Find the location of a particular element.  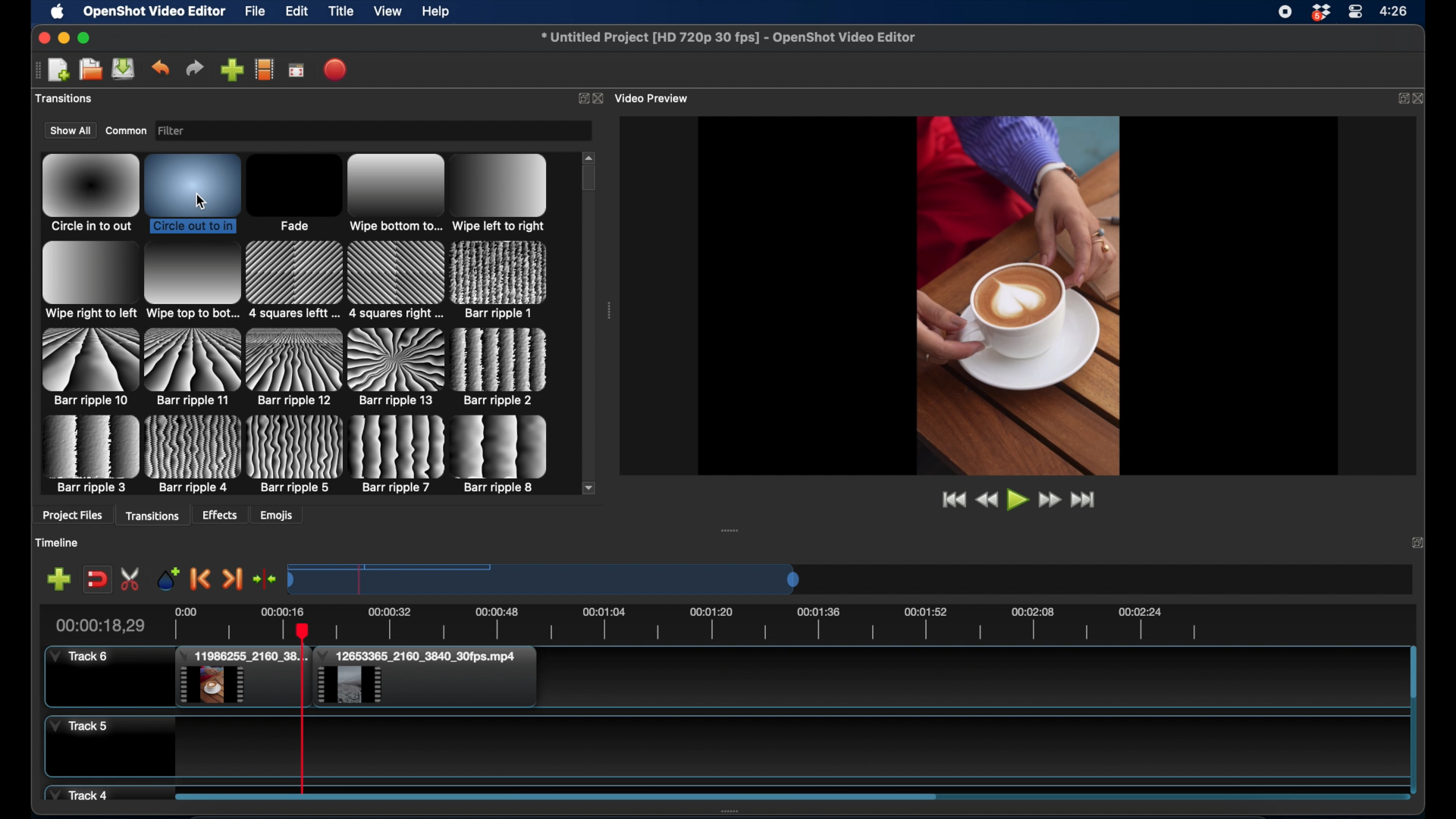

transition is located at coordinates (500, 192).